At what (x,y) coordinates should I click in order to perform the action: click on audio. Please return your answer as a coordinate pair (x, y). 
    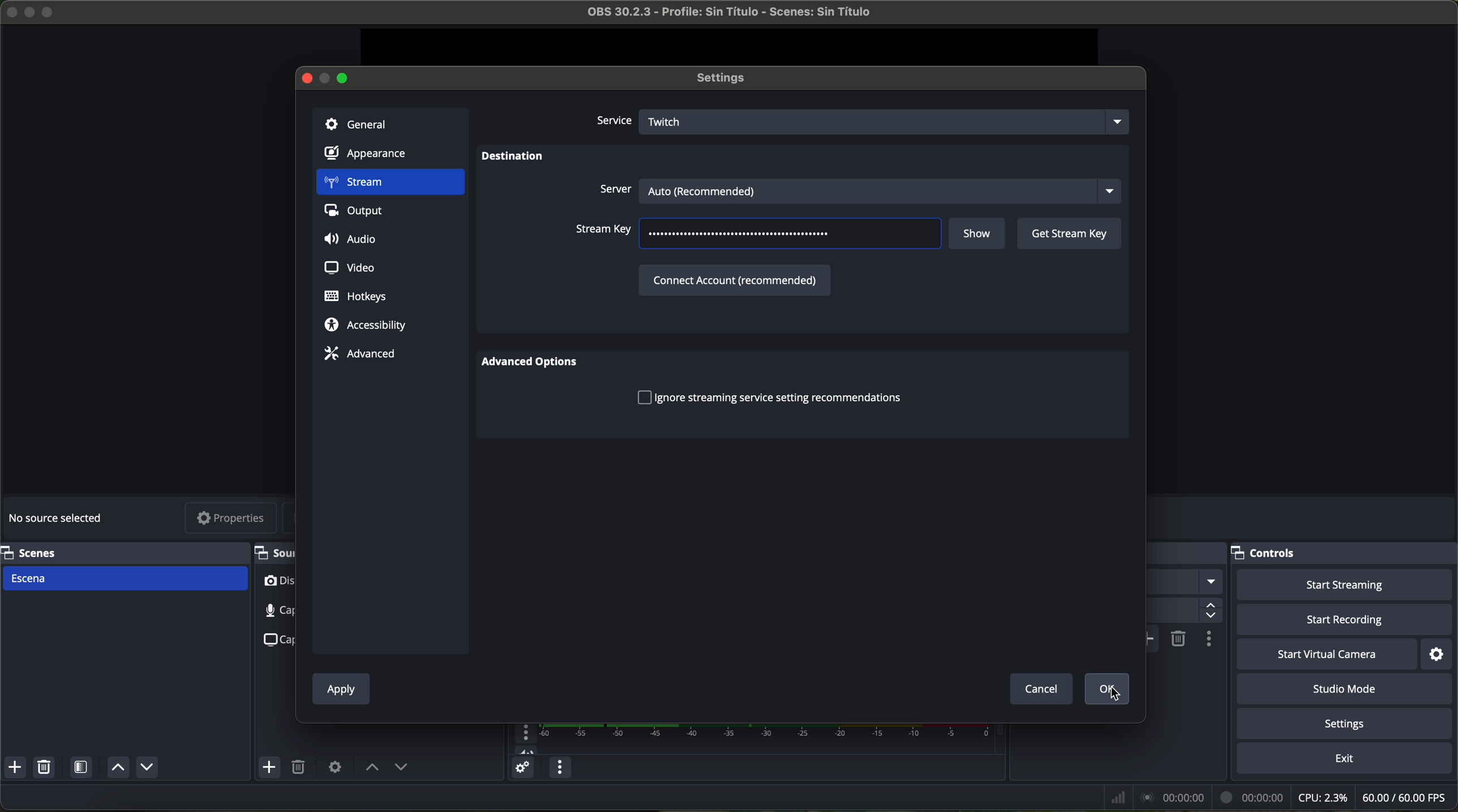
    Looking at the image, I should click on (353, 240).